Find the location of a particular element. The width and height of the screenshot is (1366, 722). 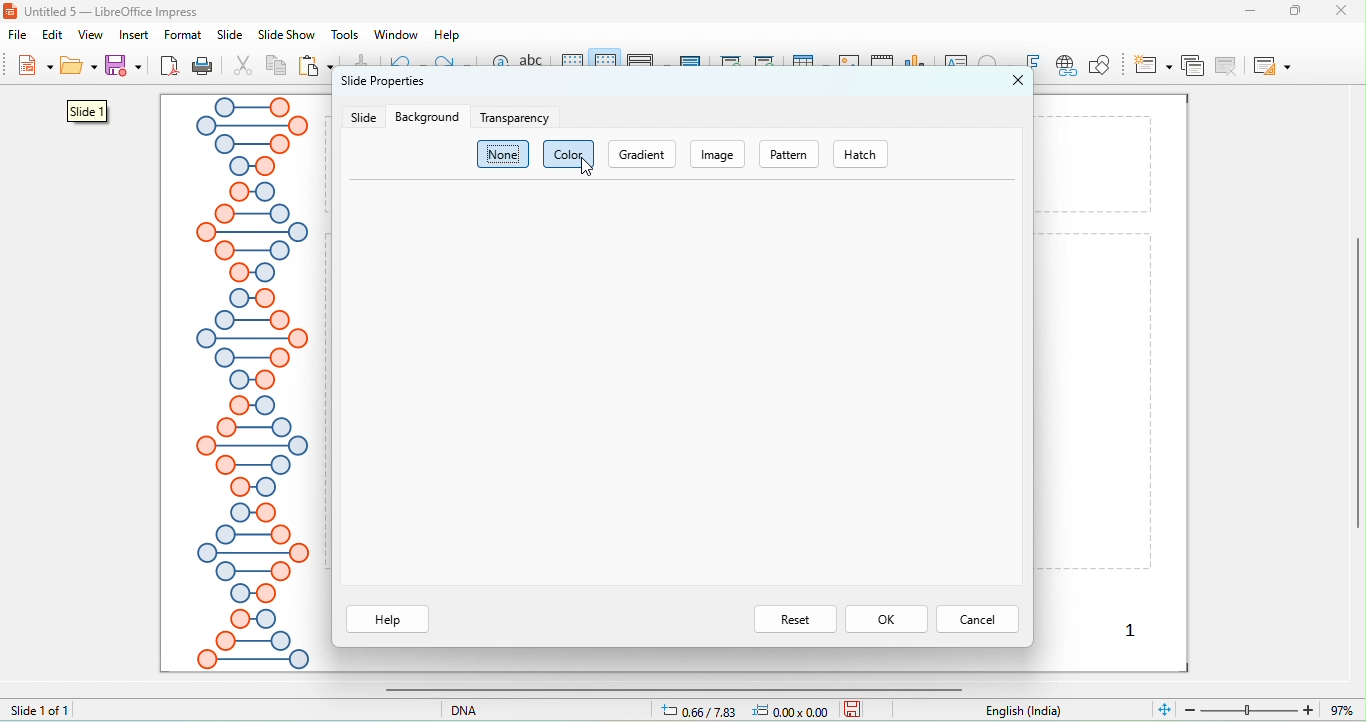

zoom is located at coordinates (1273, 708).